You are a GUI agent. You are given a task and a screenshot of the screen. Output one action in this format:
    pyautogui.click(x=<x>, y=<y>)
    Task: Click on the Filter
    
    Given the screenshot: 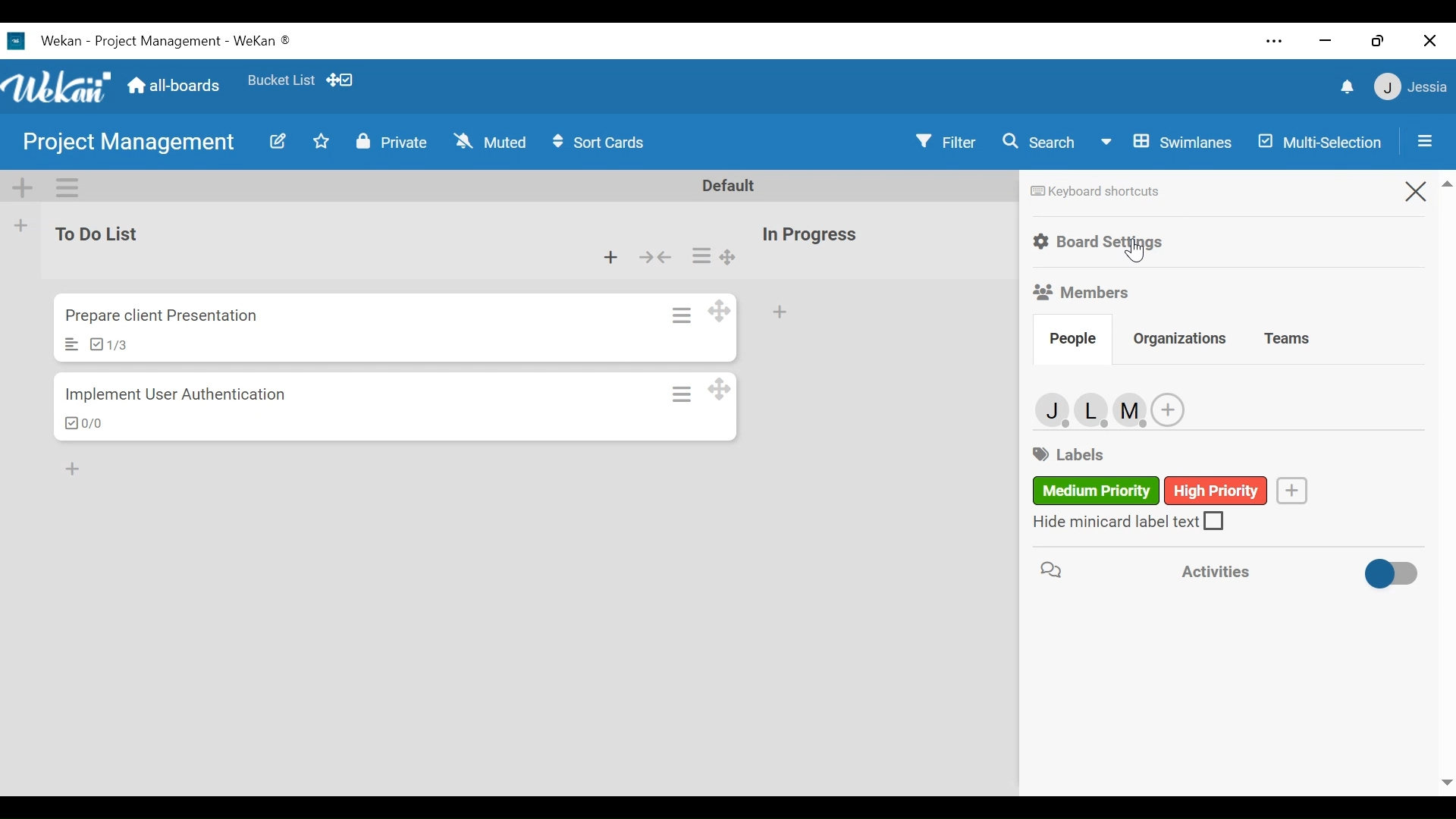 What is the action you would take?
    pyautogui.click(x=946, y=142)
    